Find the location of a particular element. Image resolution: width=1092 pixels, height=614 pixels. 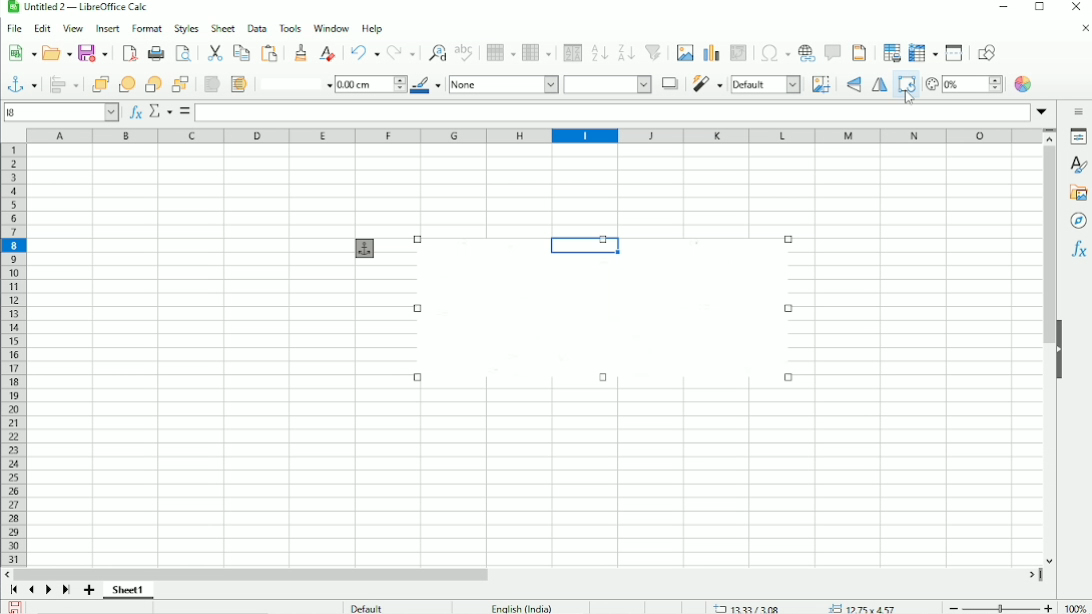

Functions is located at coordinates (1077, 250).